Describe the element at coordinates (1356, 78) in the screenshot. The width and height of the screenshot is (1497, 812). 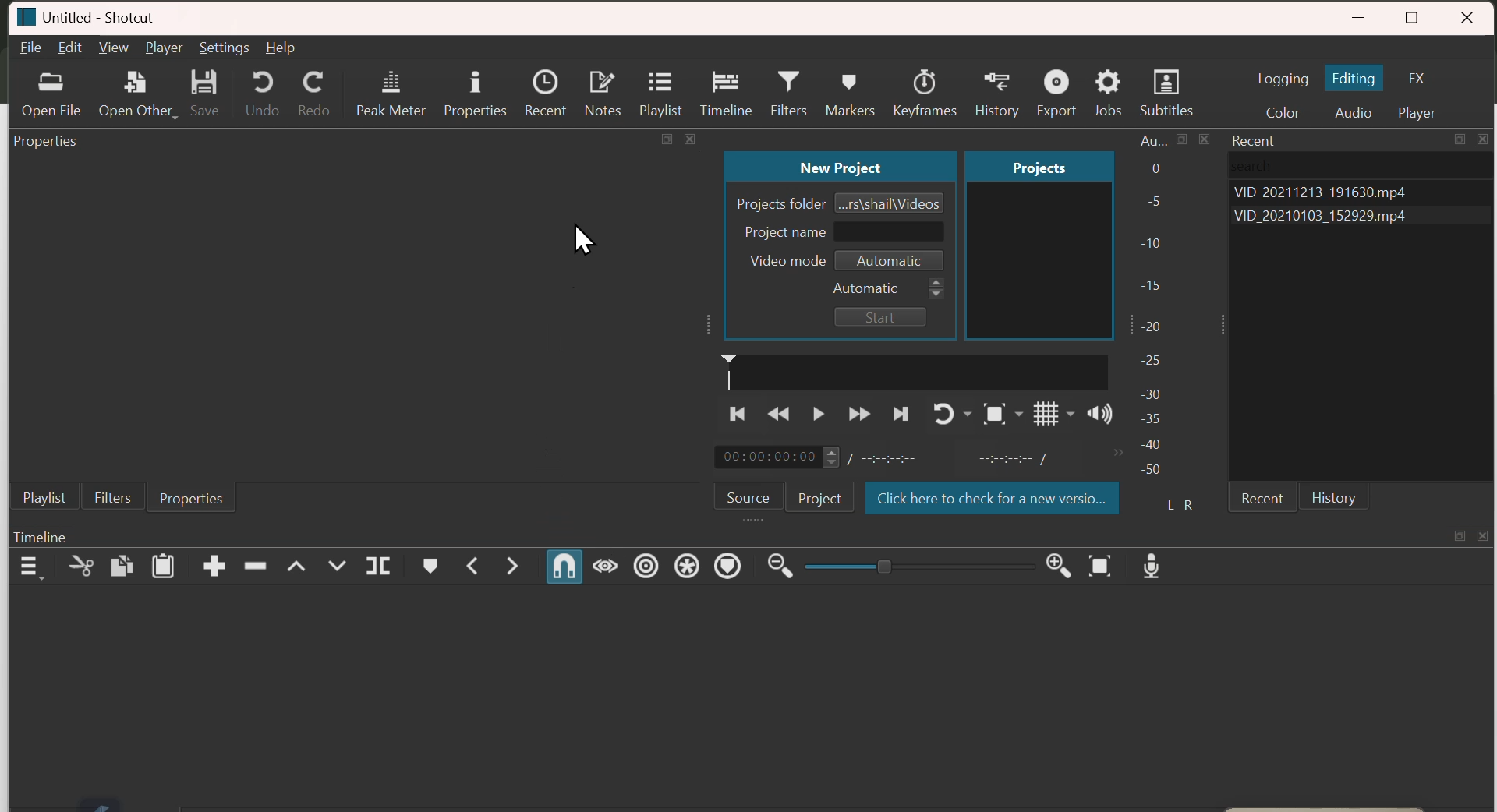
I see `Editing` at that location.